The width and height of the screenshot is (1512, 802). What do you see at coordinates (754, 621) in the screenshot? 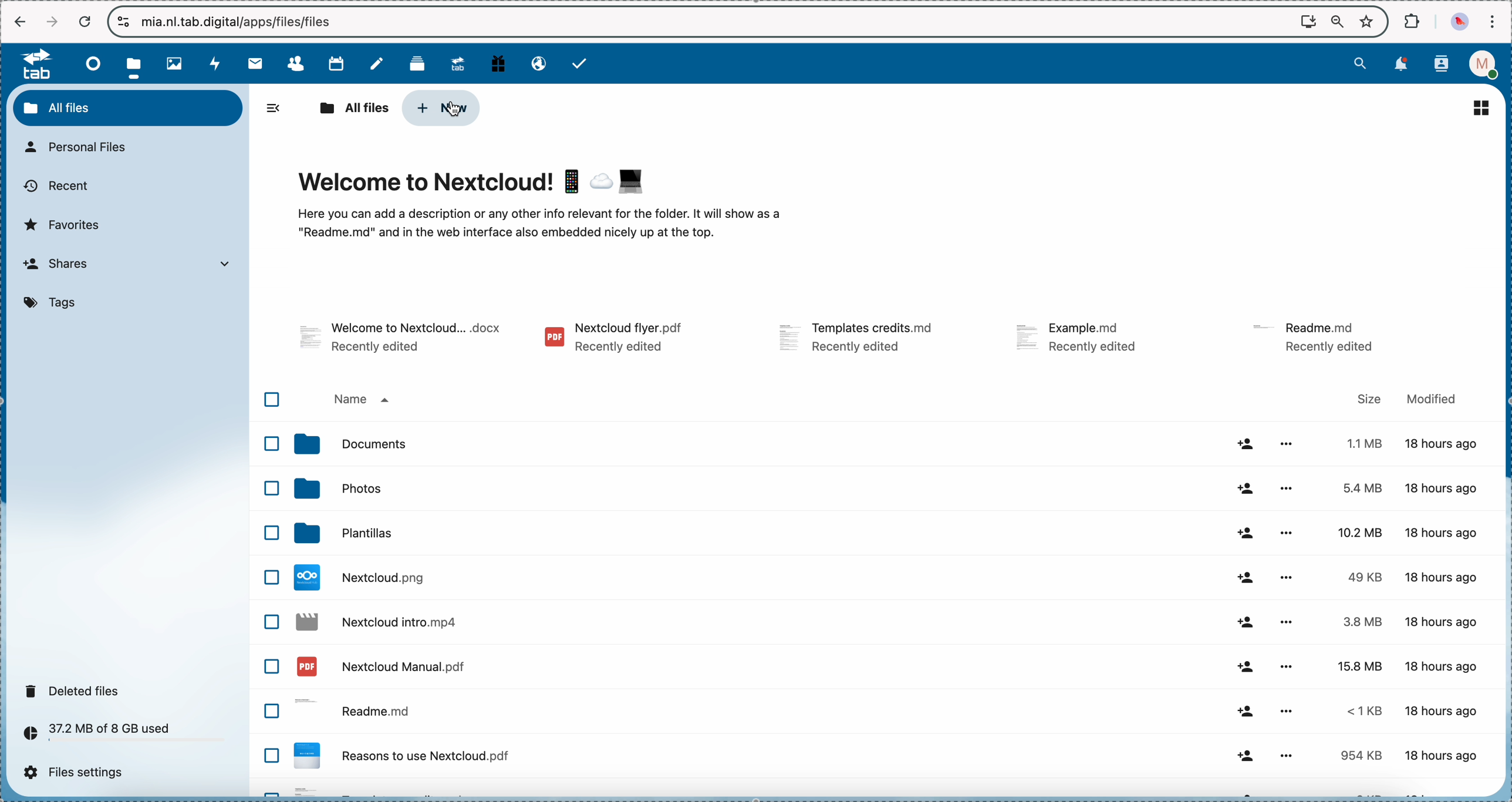
I see `file` at bounding box center [754, 621].